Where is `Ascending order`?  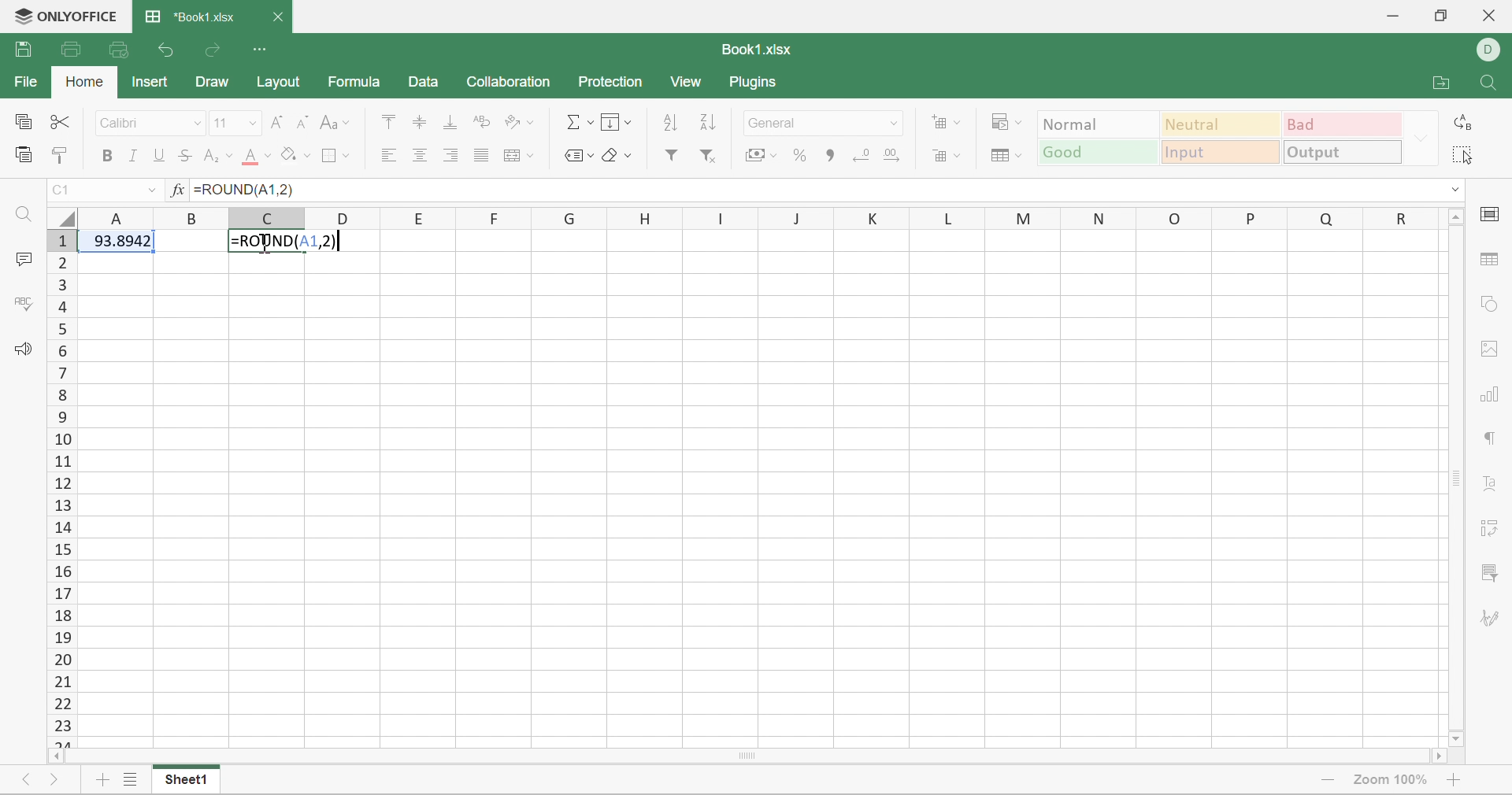 Ascending order is located at coordinates (671, 120).